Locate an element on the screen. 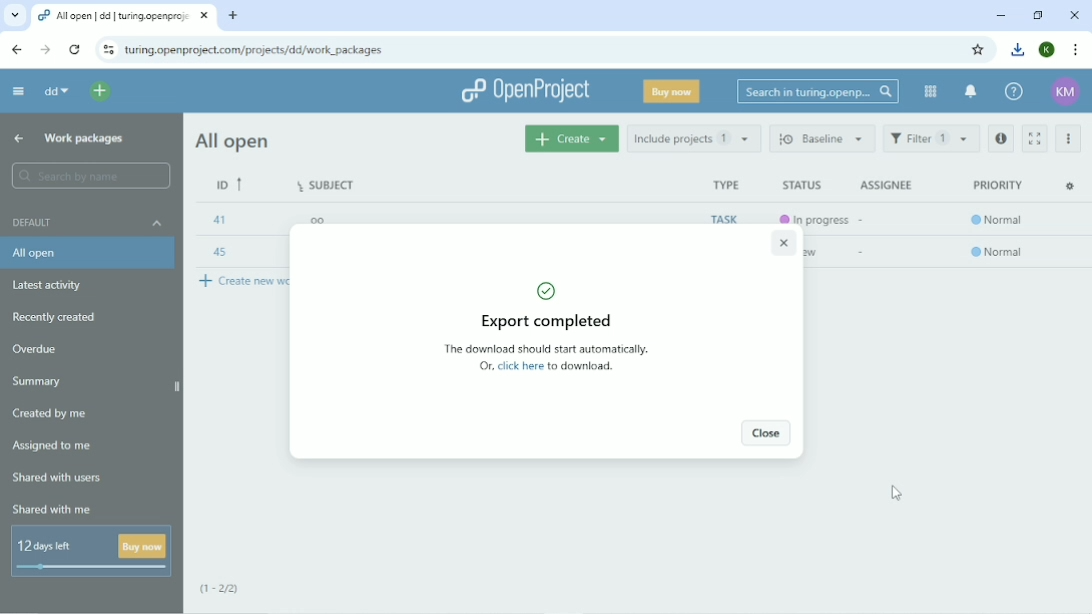  K is located at coordinates (1047, 50).